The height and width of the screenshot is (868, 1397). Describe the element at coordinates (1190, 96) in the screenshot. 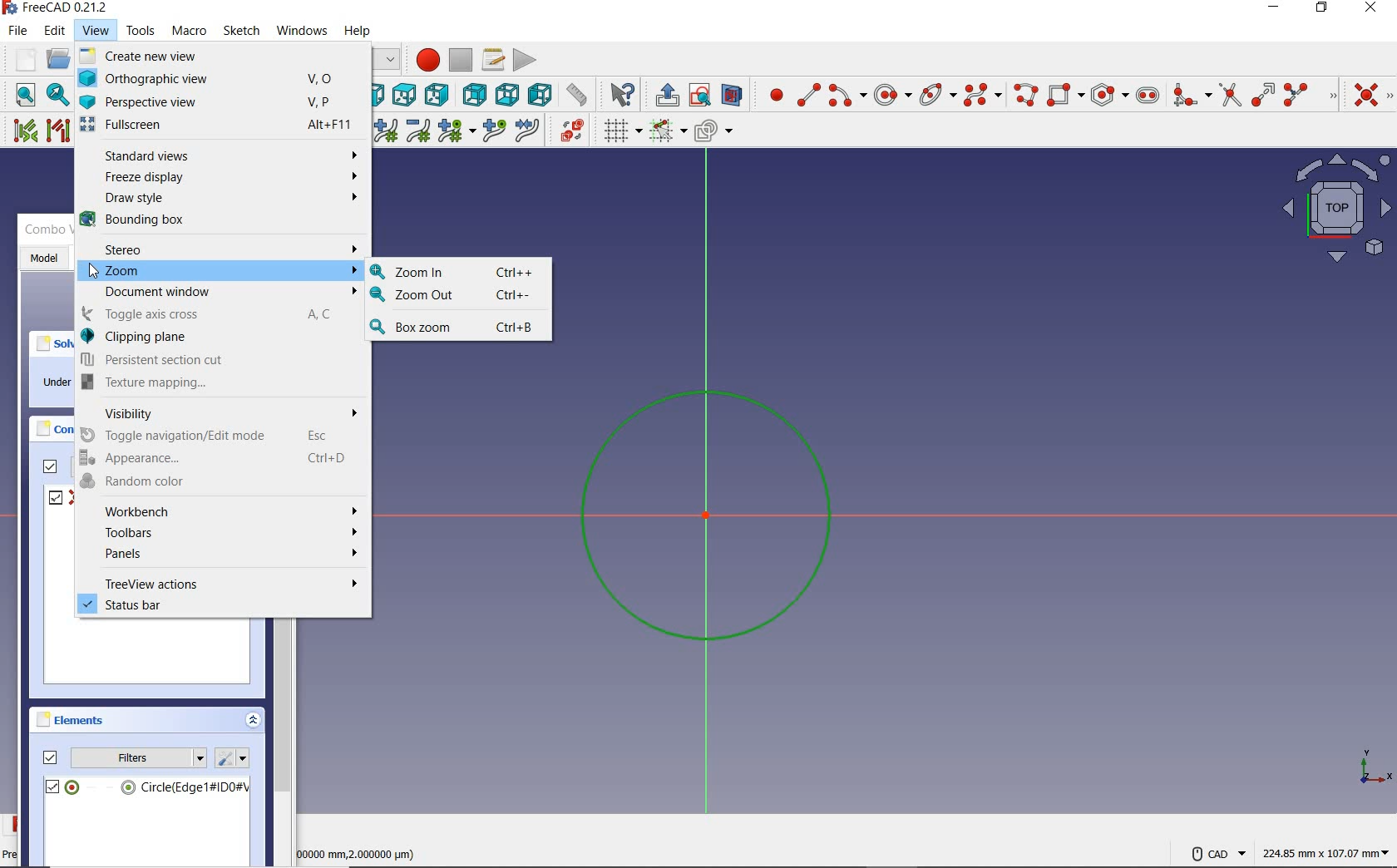

I see `create fillet` at that location.